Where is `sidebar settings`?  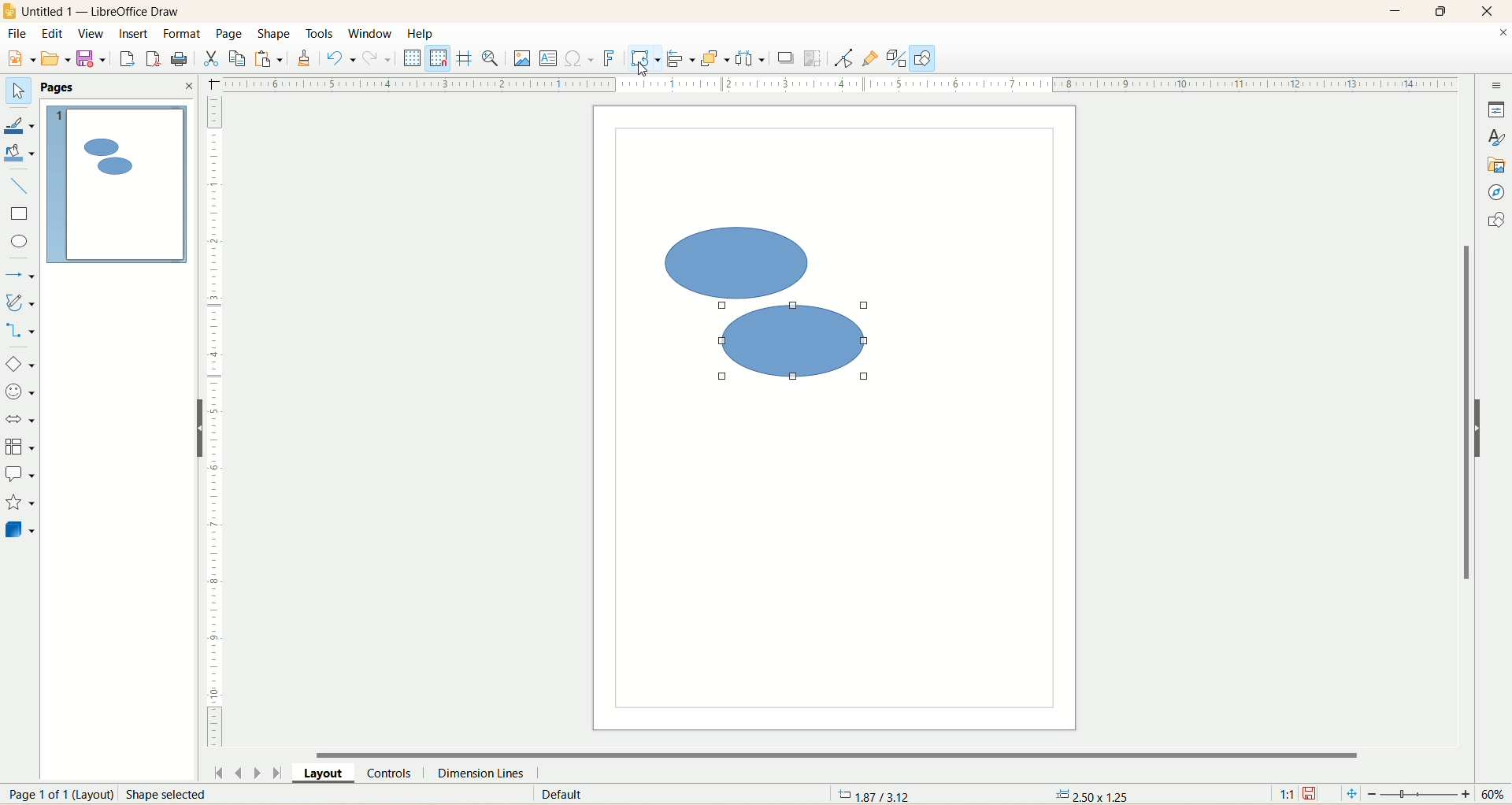 sidebar settings is located at coordinates (1497, 87).